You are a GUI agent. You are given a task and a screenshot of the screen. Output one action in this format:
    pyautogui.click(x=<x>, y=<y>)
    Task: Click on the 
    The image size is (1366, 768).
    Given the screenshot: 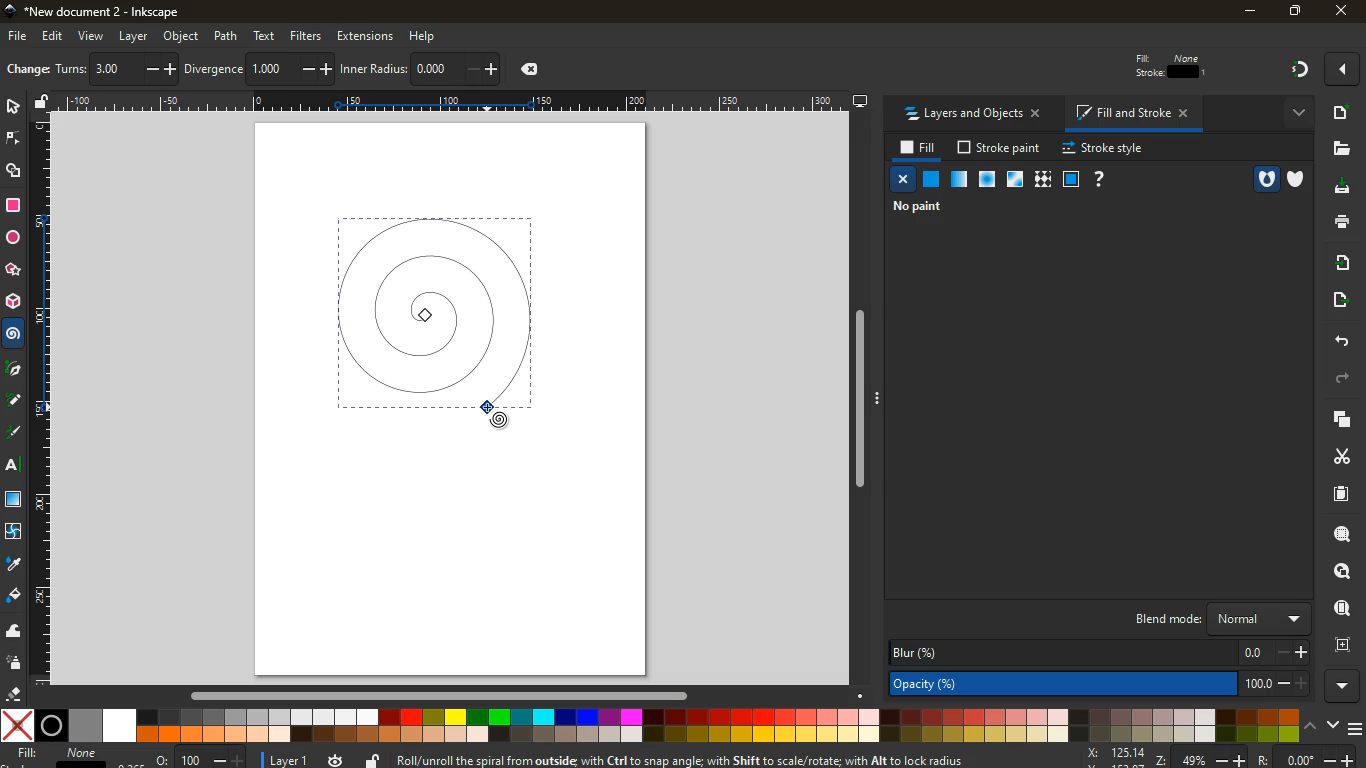 What is the action you would take?
    pyautogui.click(x=866, y=403)
    